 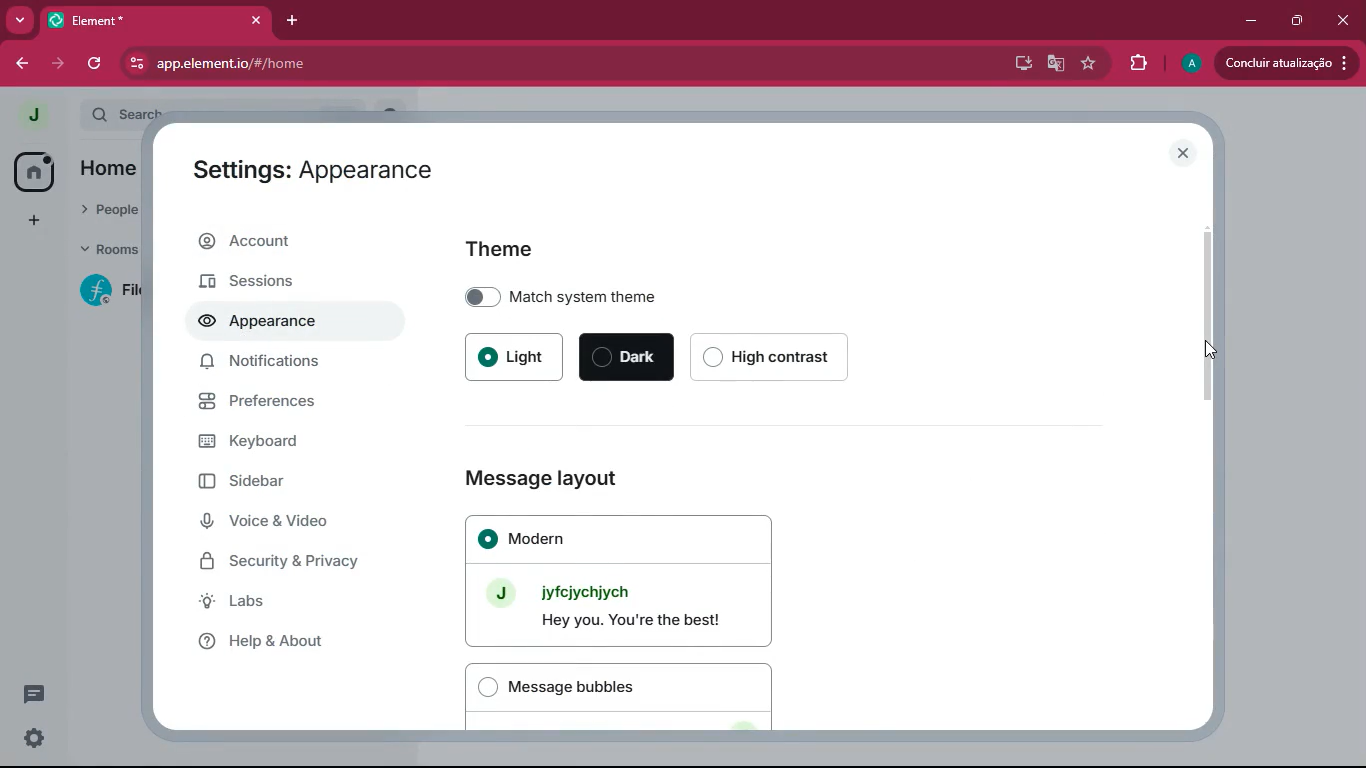 I want to click on scroll bar, so click(x=1208, y=314).